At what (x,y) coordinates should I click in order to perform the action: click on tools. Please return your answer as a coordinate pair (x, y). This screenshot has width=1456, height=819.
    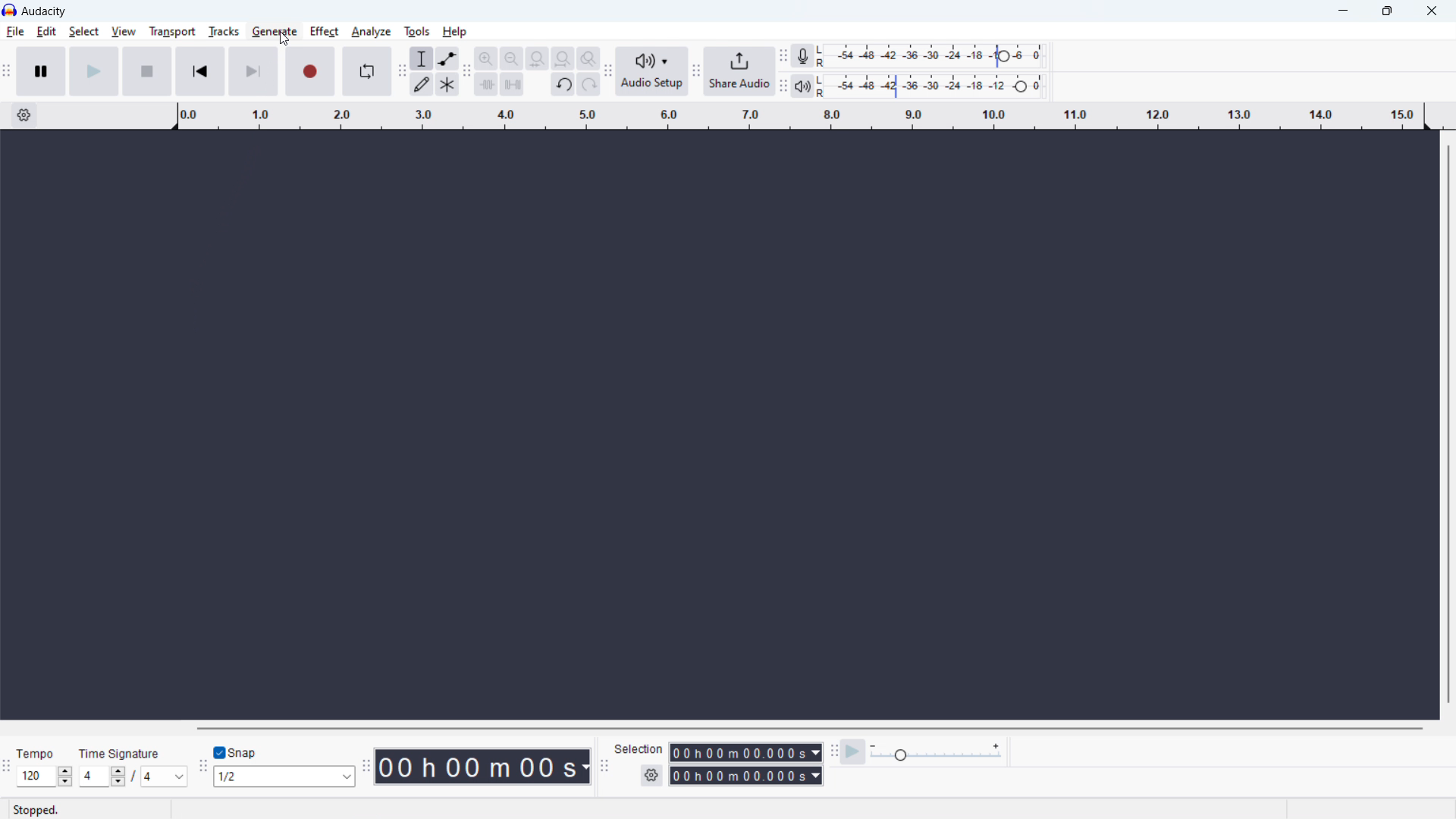
    Looking at the image, I should click on (417, 31).